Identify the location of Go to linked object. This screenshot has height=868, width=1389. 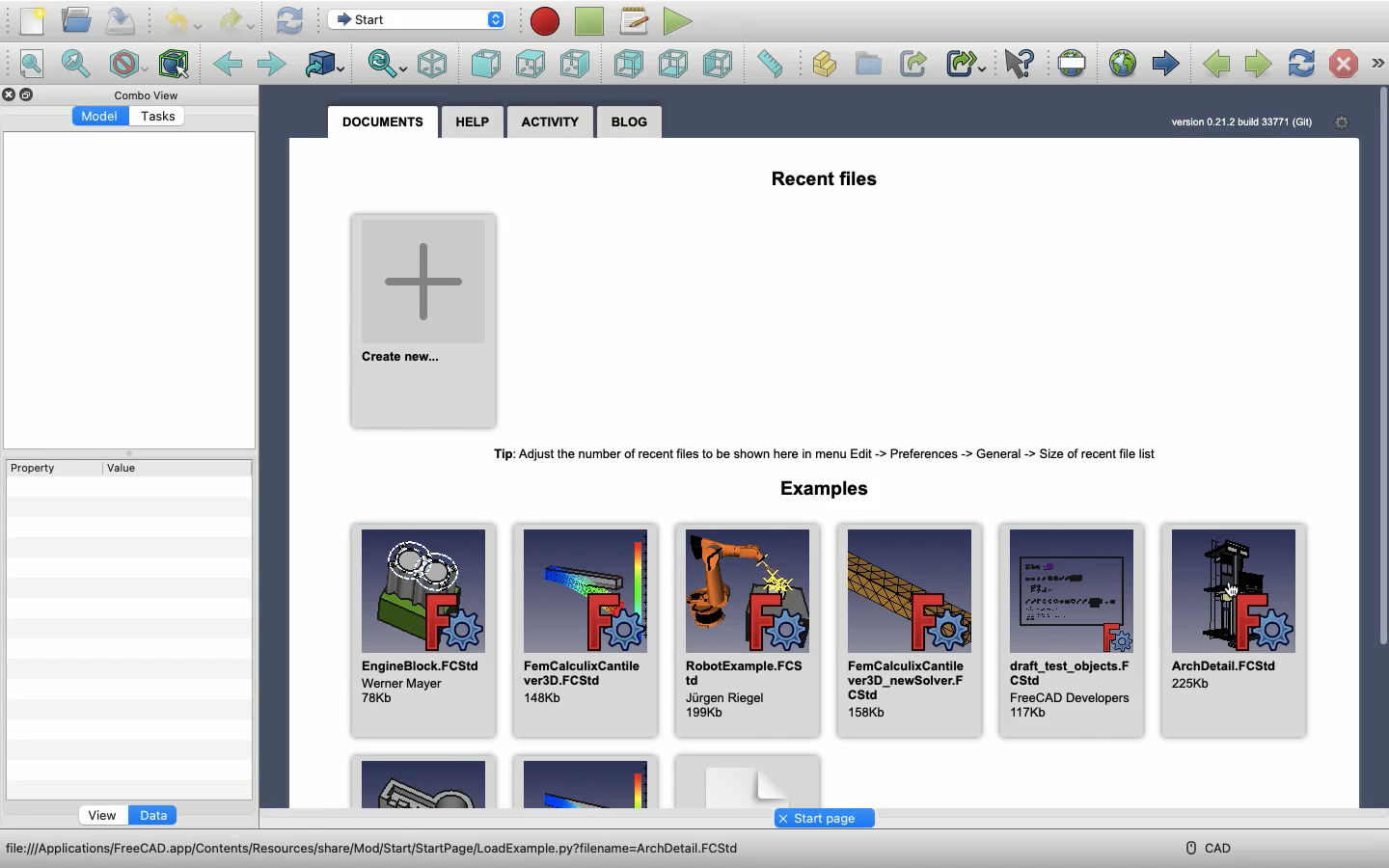
(324, 62).